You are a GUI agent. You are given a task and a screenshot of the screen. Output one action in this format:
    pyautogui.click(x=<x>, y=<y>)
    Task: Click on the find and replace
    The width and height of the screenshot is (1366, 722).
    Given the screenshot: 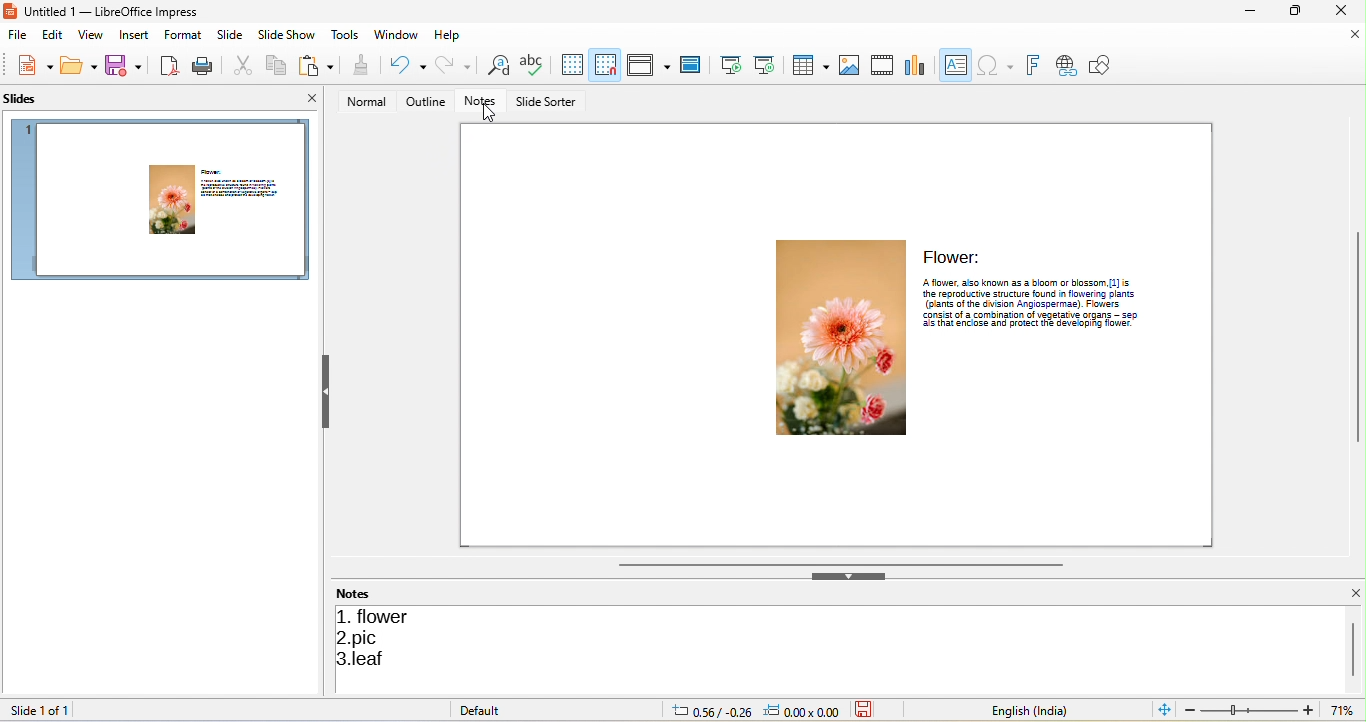 What is the action you would take?
    pyautogui.click(x=497, y=65)
    